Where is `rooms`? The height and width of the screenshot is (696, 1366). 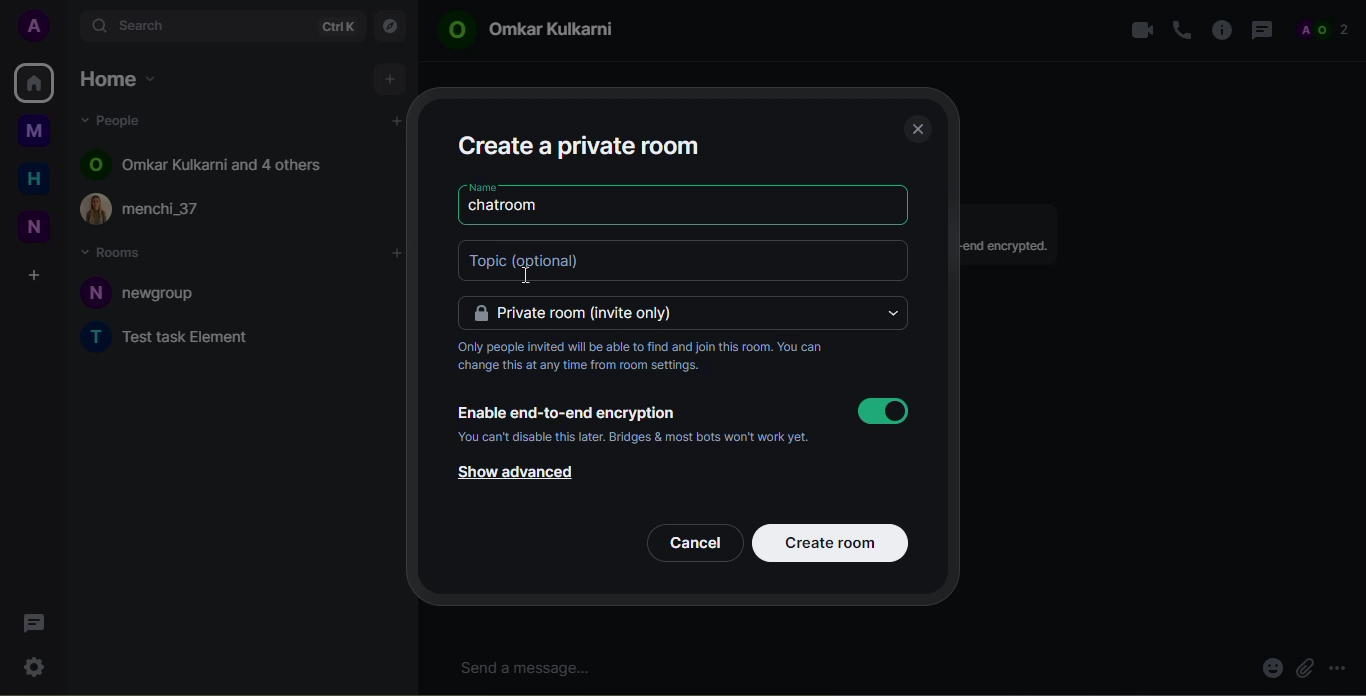 rooms is located at coordinates (115, 251).